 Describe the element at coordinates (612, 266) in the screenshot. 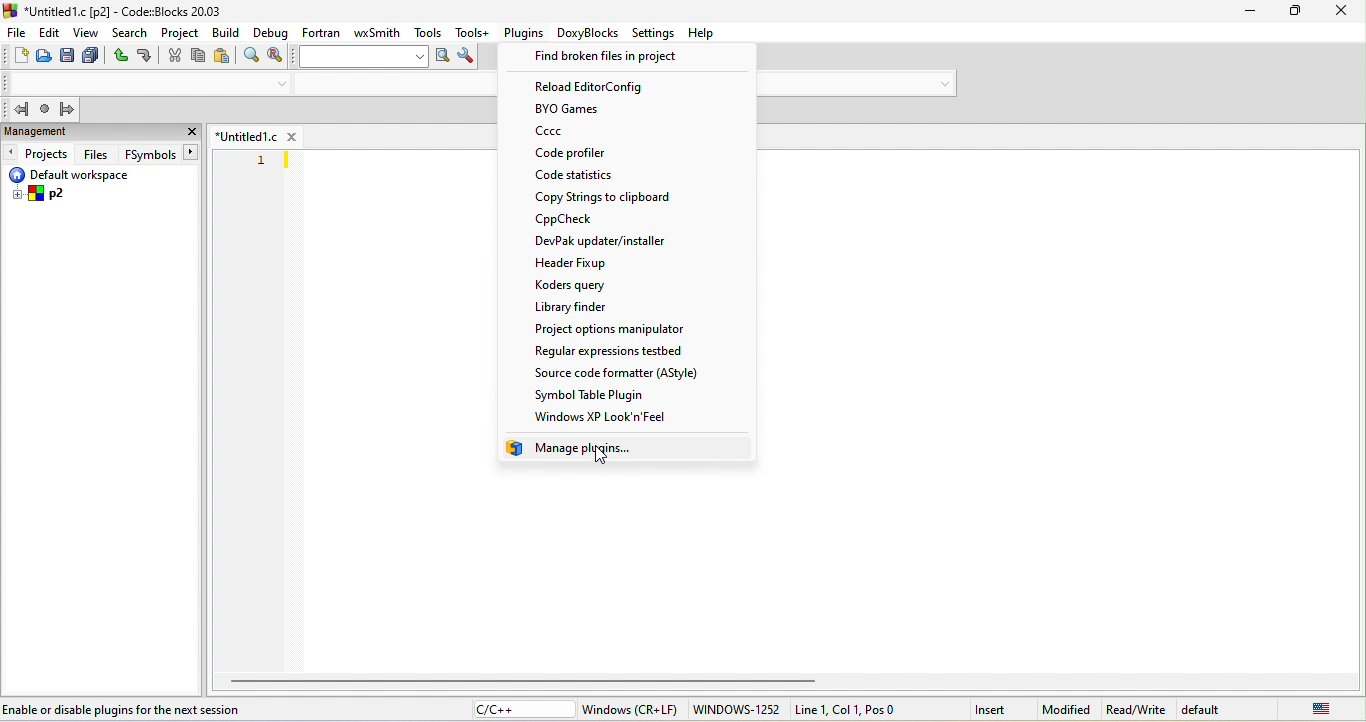

I see `header fixup` at that location.